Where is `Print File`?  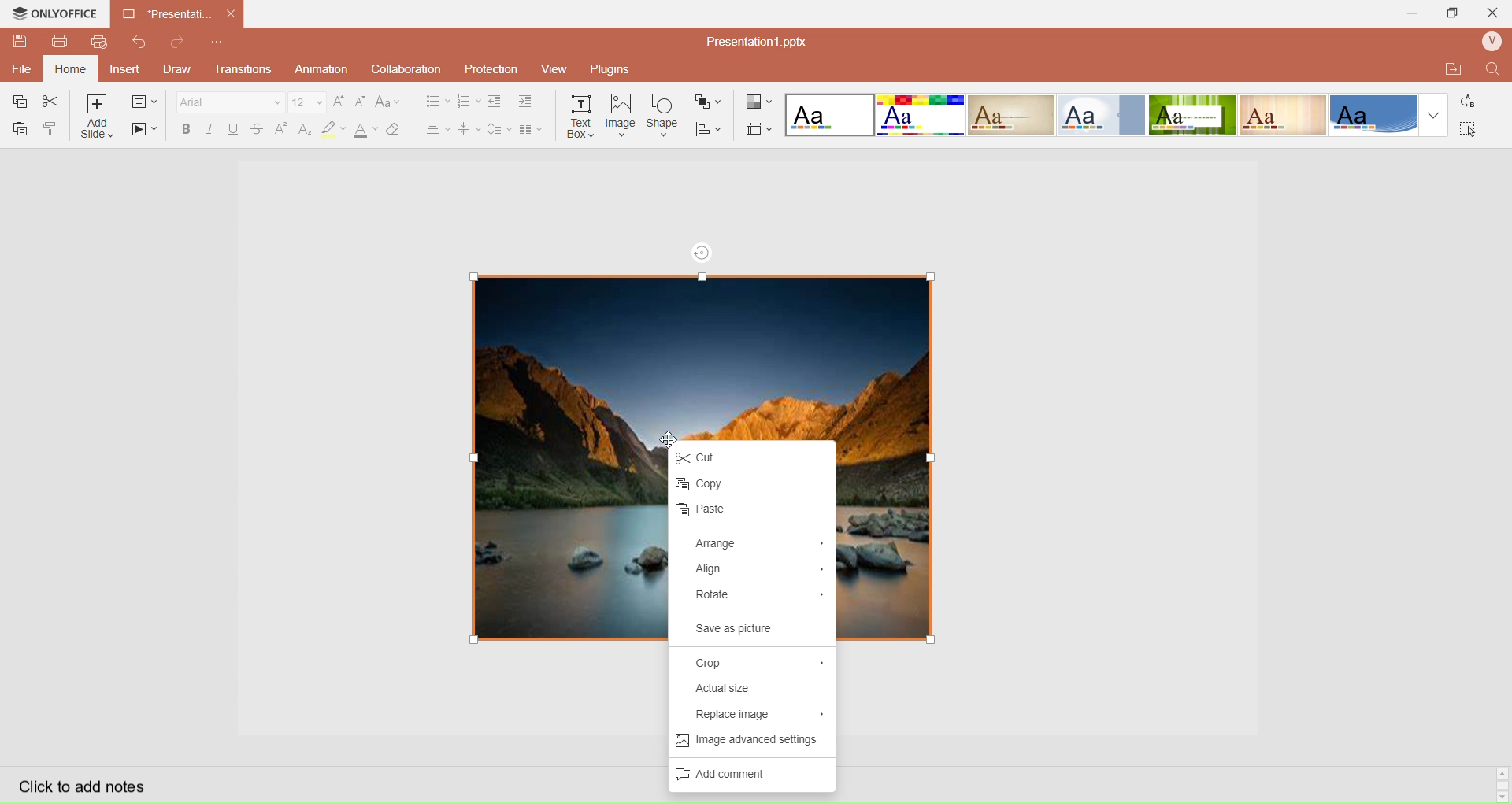 Print File is located at coordinates (60, 42).